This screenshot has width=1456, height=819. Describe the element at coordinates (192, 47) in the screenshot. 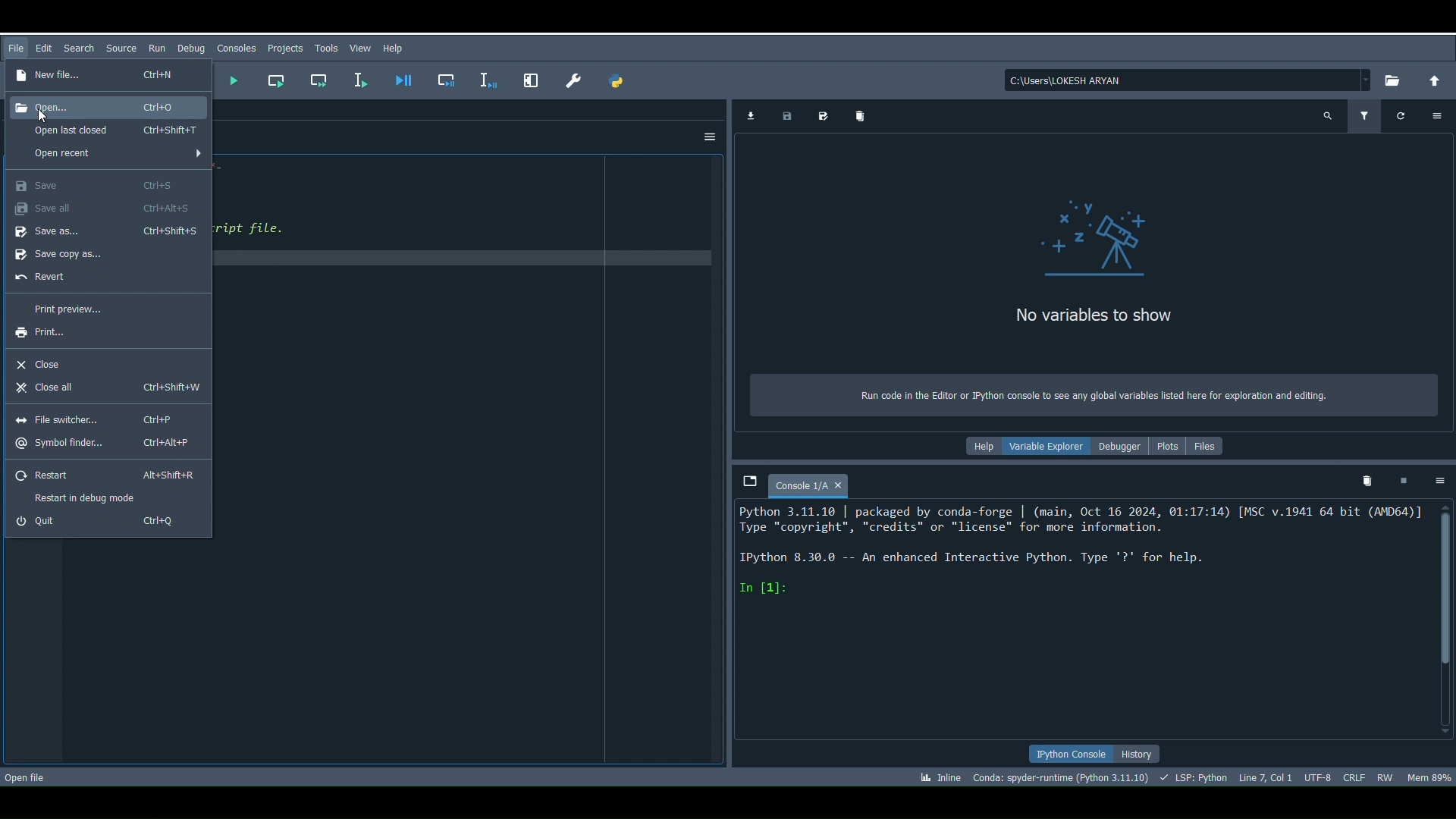

I see `Debug` at that location.